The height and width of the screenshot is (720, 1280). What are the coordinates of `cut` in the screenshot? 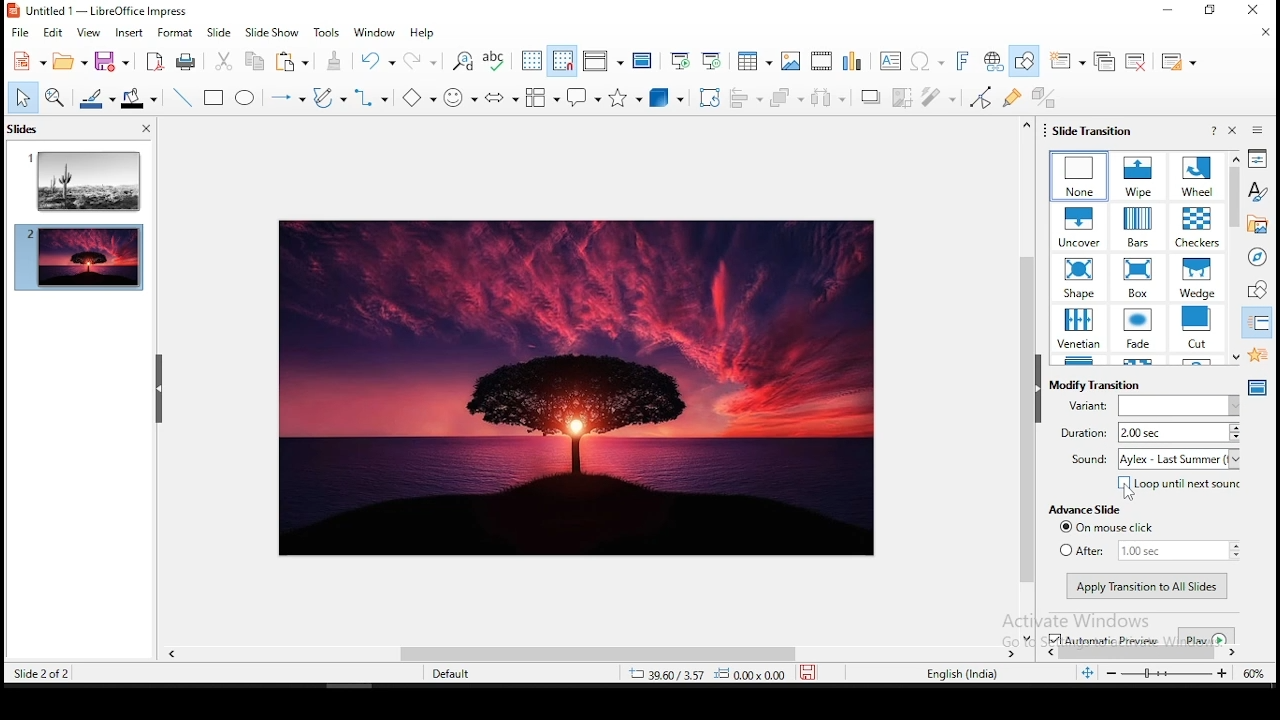 It's located at (224, 62).